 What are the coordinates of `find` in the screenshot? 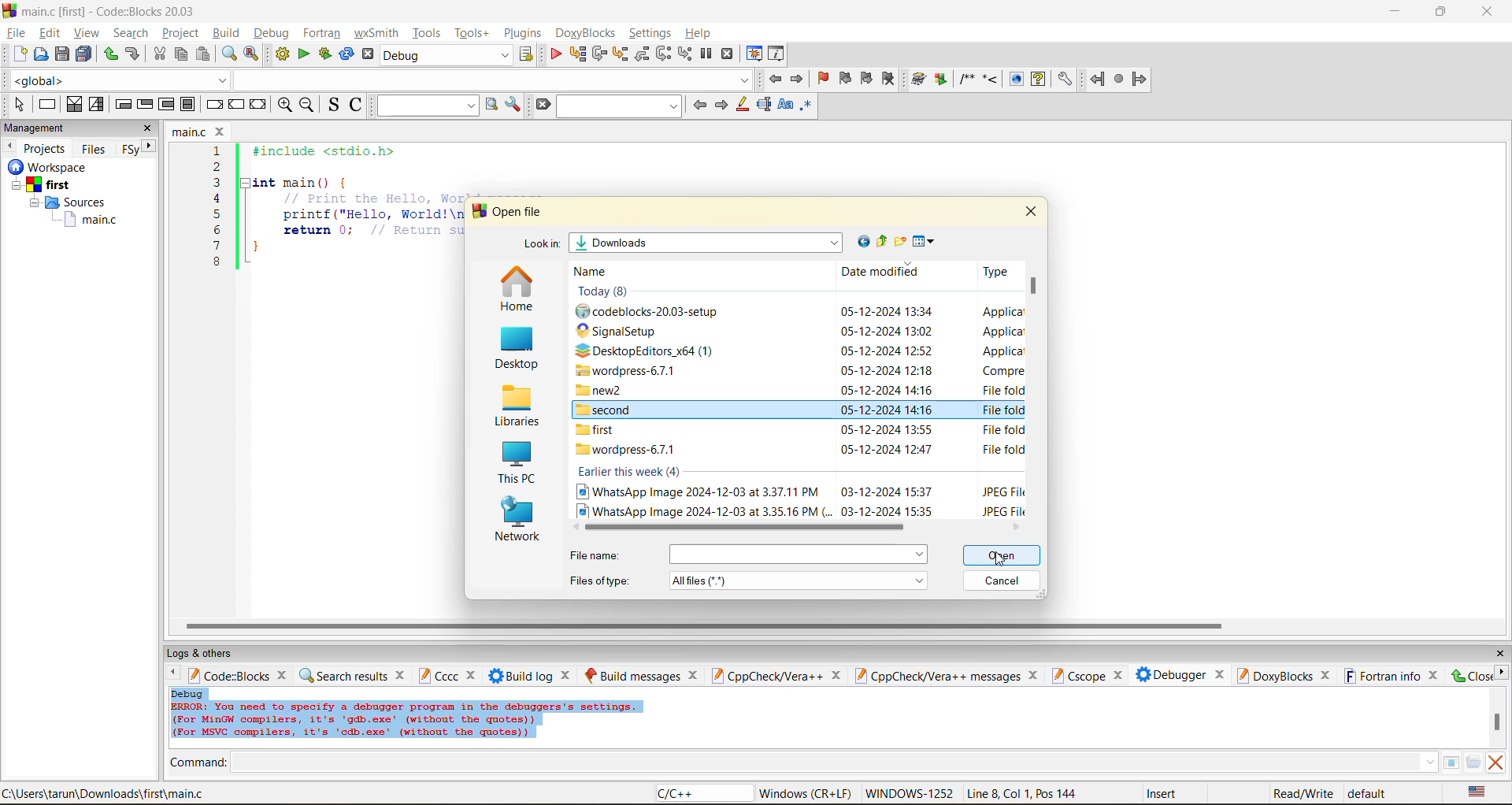 It's located at (228, 54).